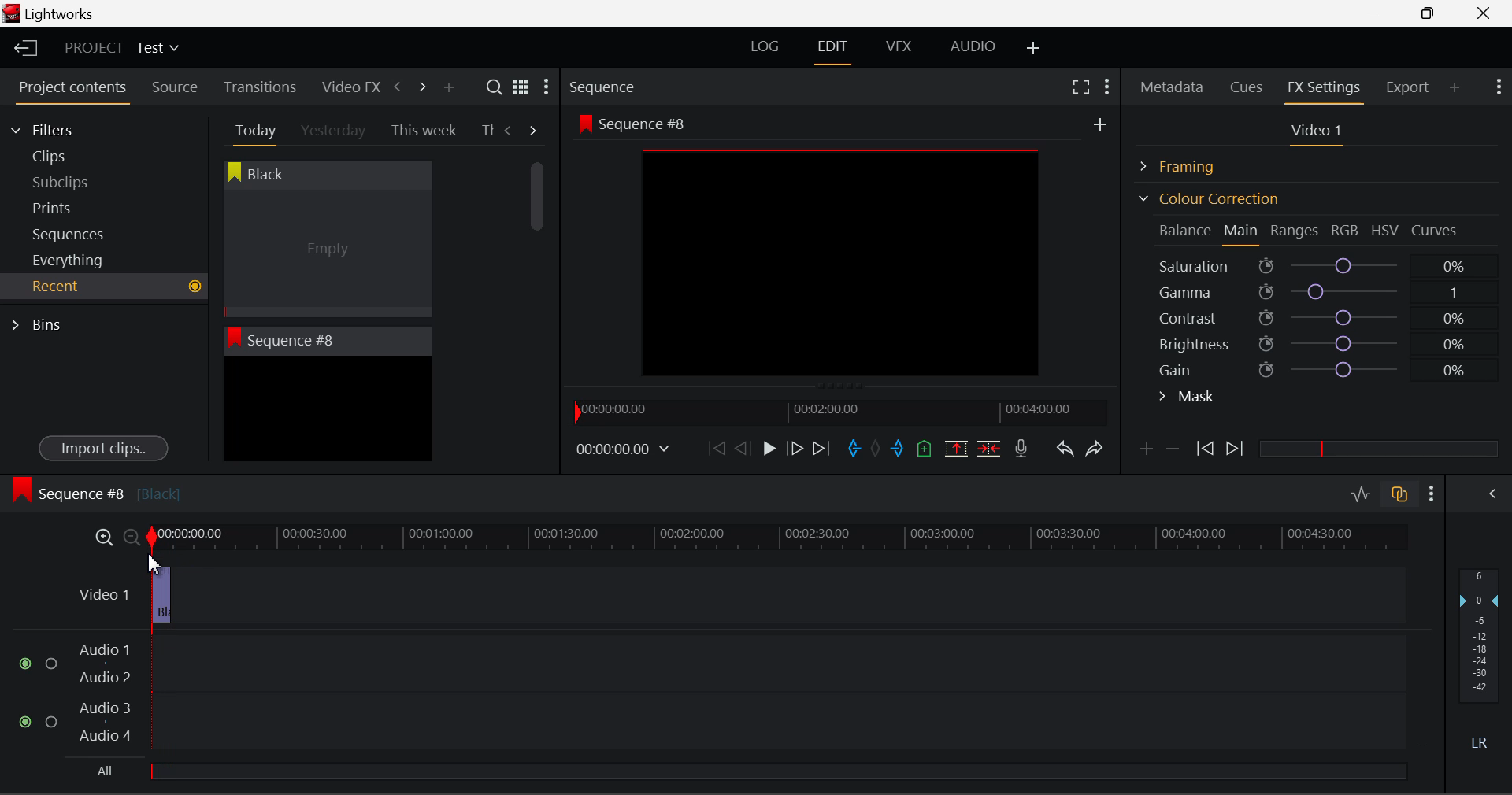  Describe the element at coordinates (74, 205) in the screenshot. I see `Prints` at that location.